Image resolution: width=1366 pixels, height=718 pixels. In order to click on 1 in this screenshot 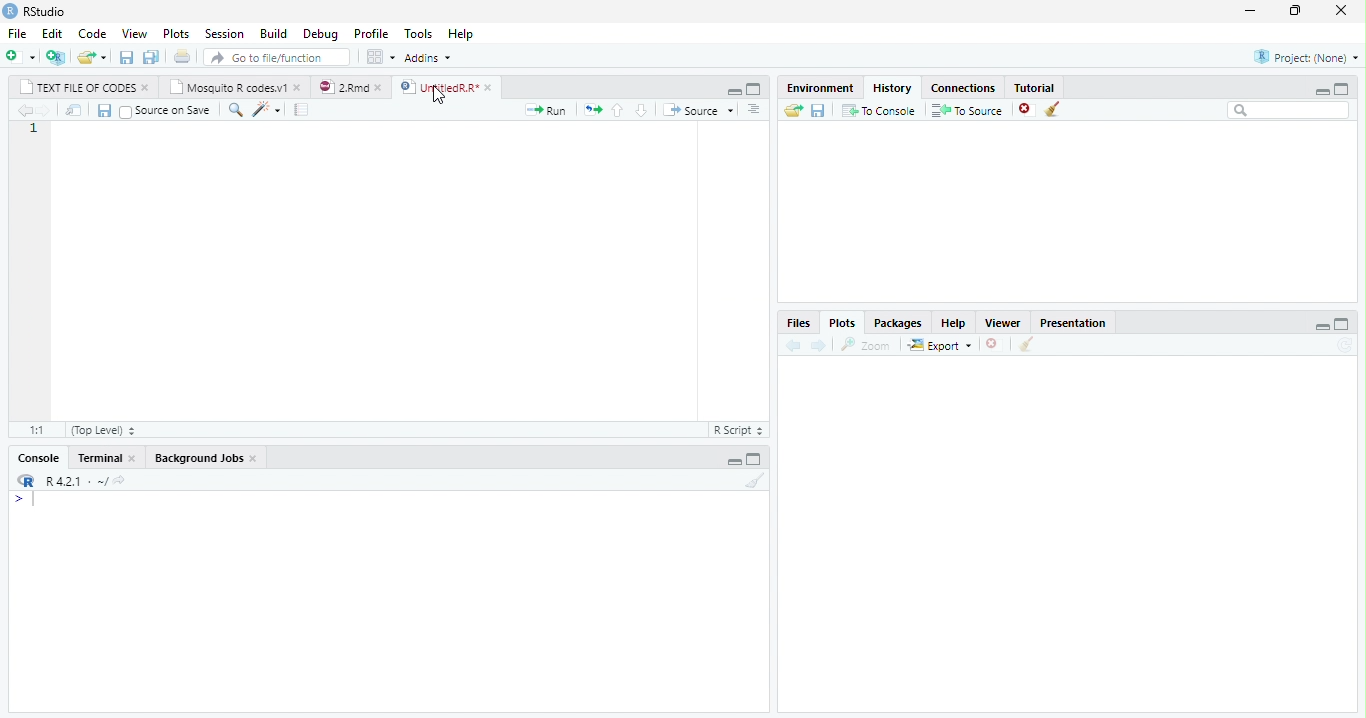, I will do `click(33, 130)`.